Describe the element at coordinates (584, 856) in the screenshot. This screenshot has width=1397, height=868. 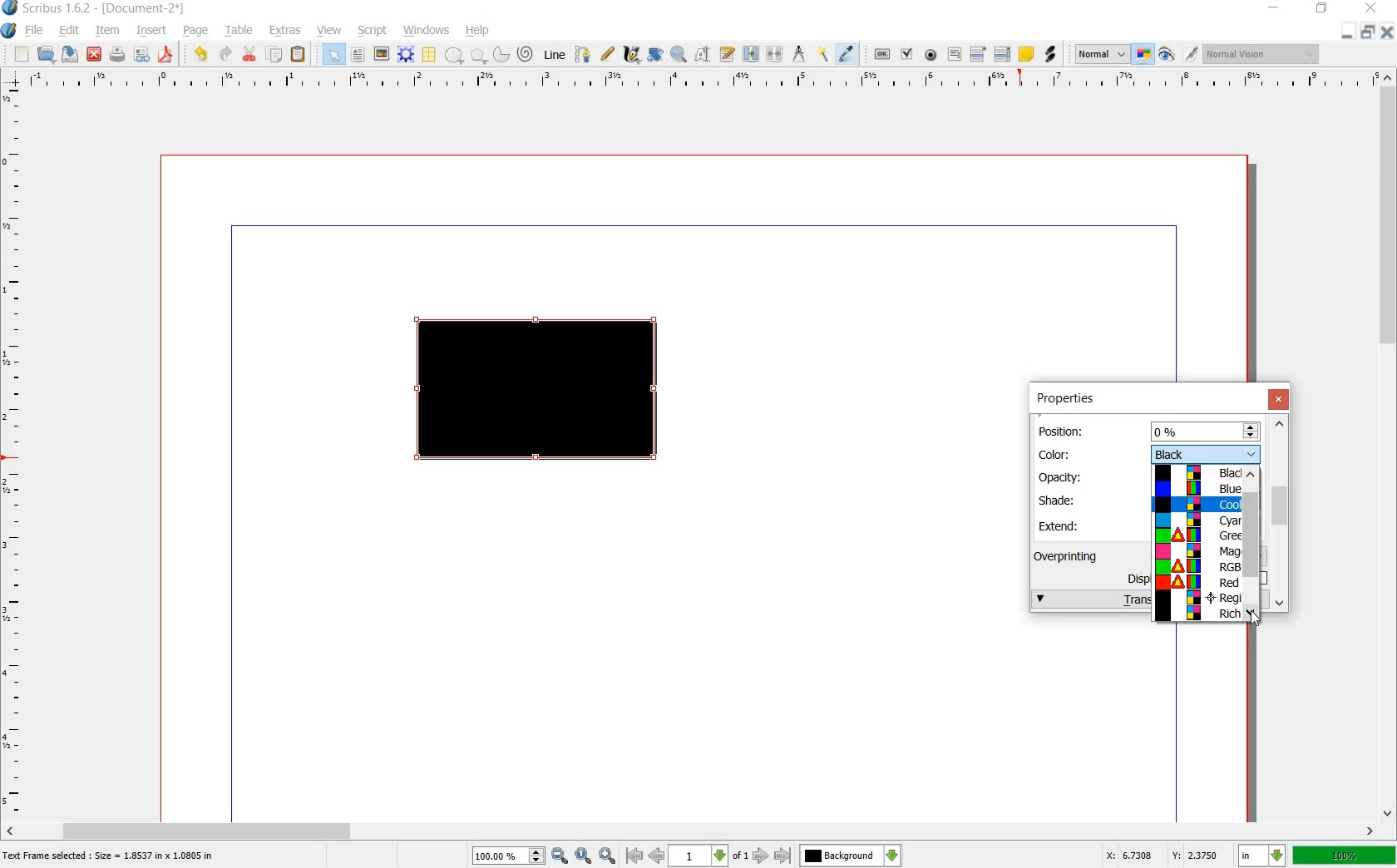
I see `zoom to` at that location.